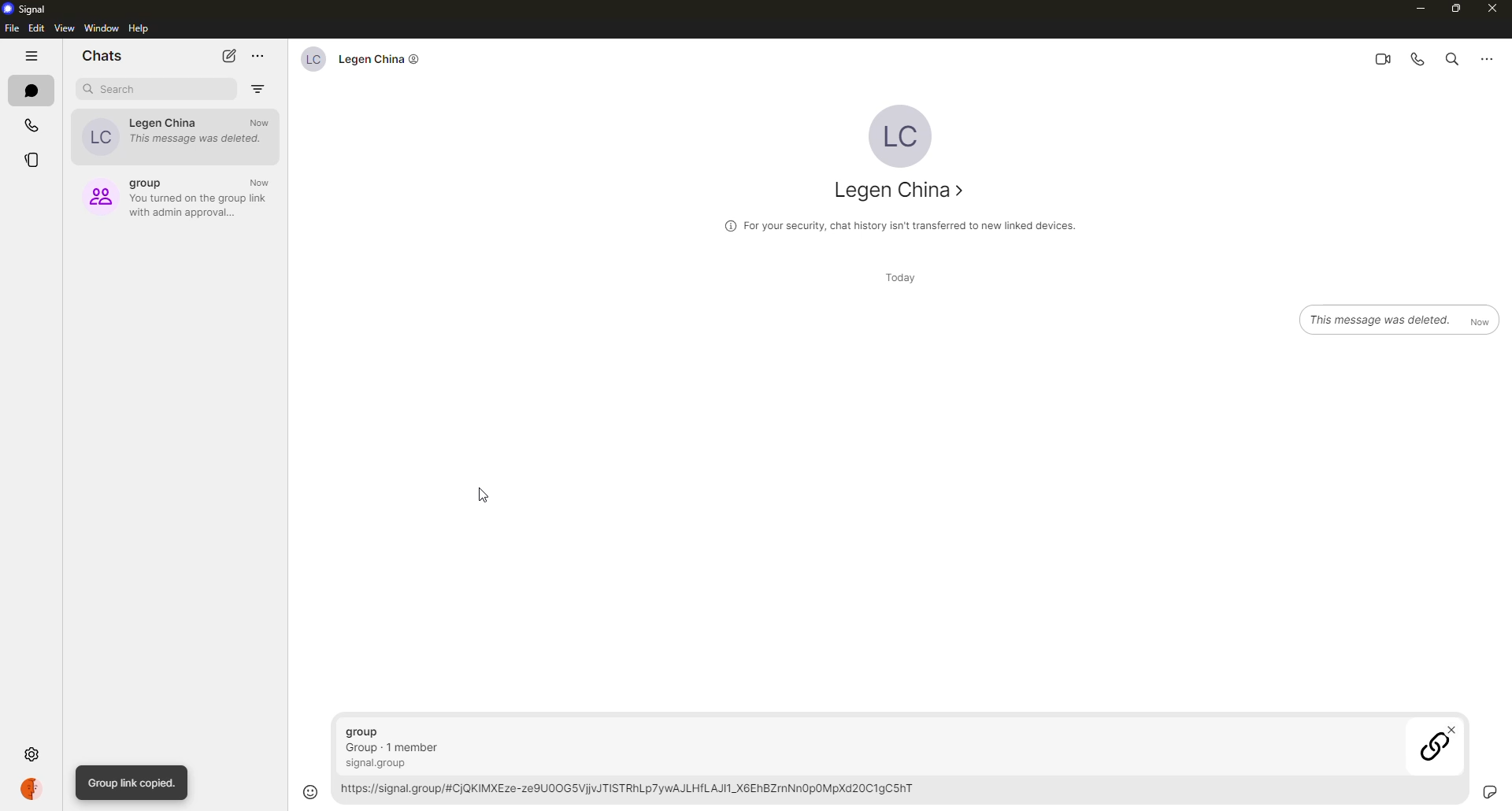 The image size is (1512, 811). Describe the element at coordinates (102, 54) in the screenshot. I see `chats` at that location.